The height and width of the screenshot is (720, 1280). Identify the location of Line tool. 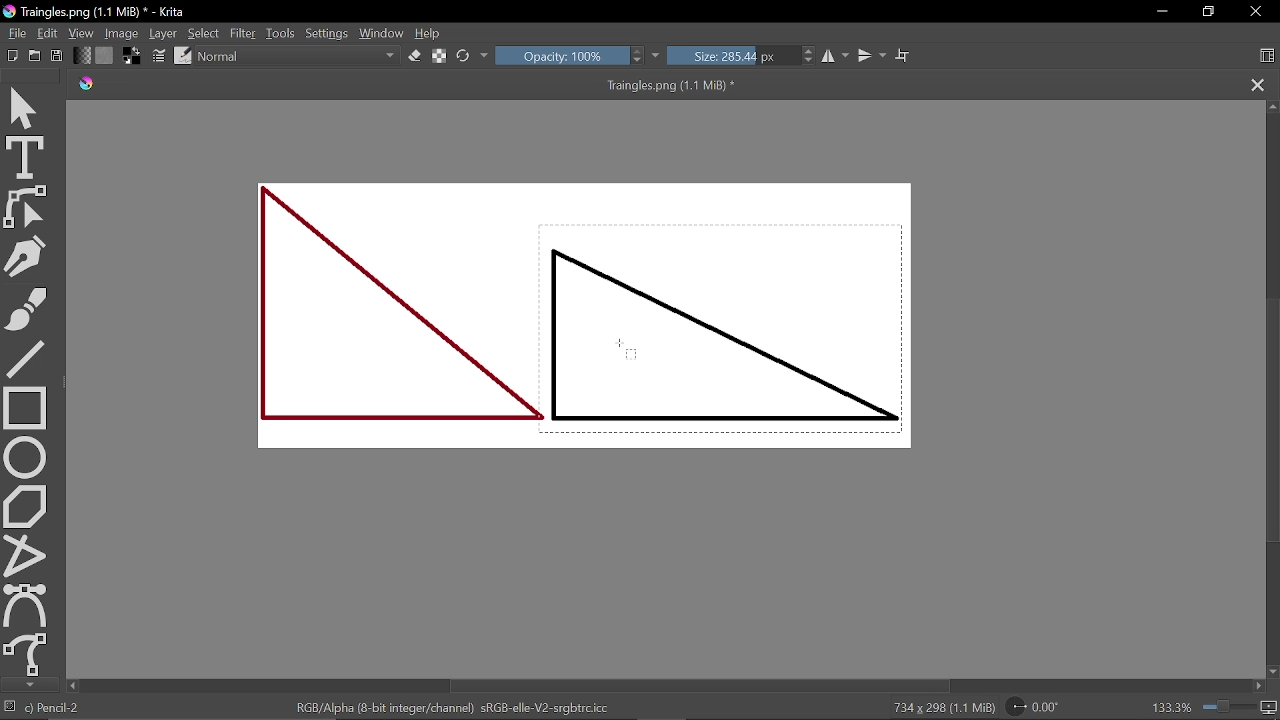
(25, 357).